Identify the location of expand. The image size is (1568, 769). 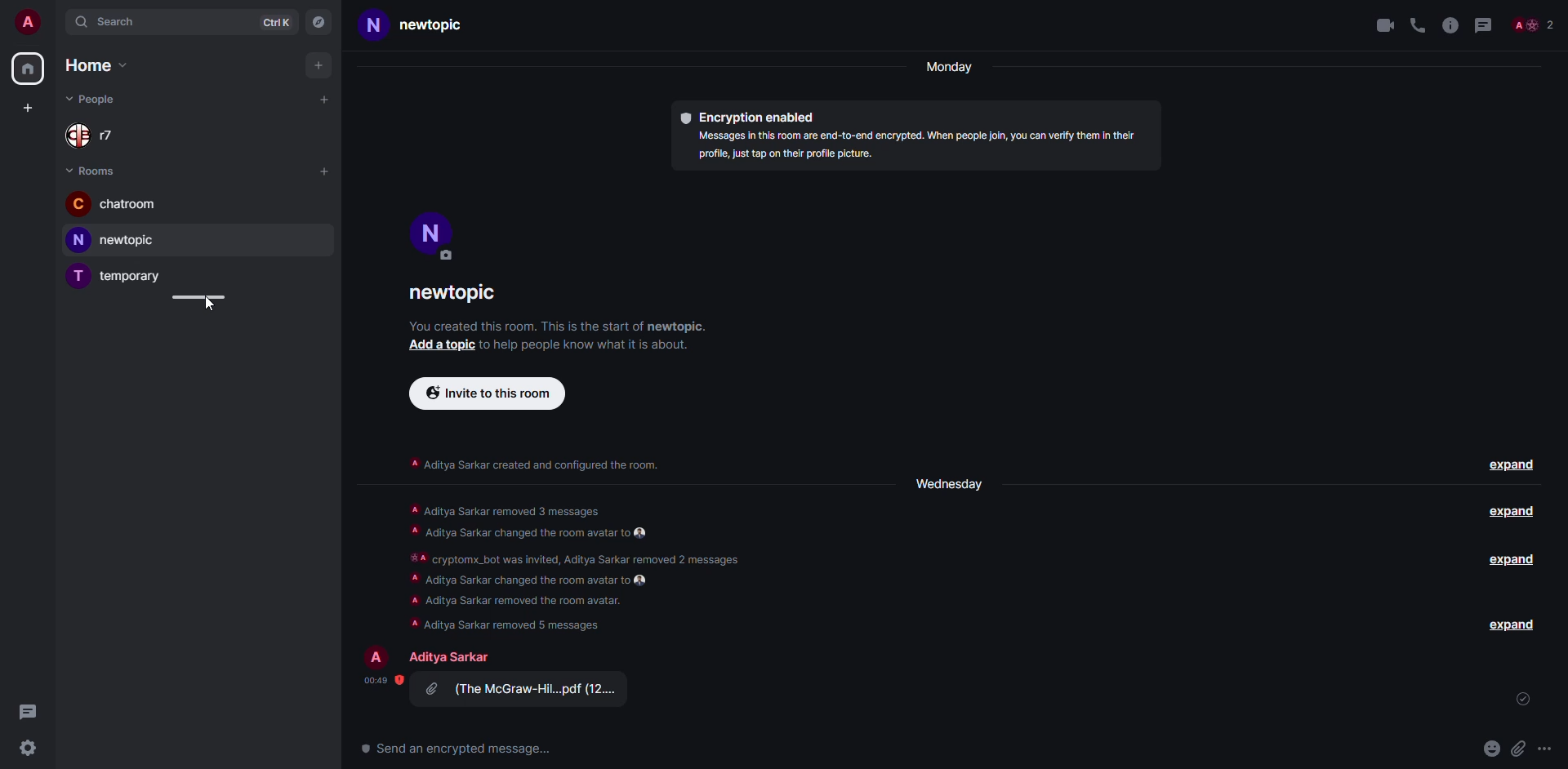
(1512, 624).